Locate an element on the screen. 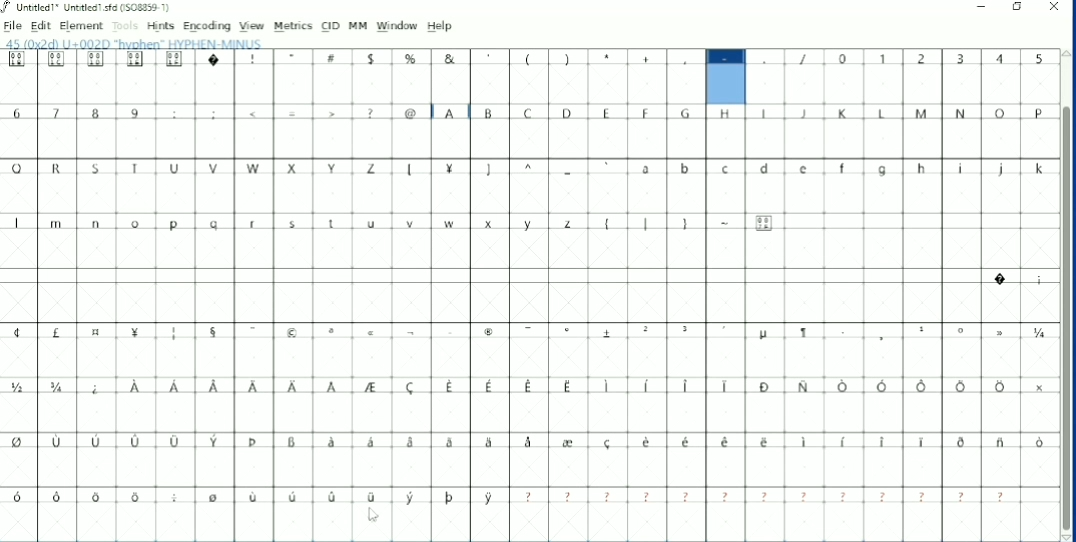 The image size is (1076, 542). Capital Letters is located at coordinates (743, 114).